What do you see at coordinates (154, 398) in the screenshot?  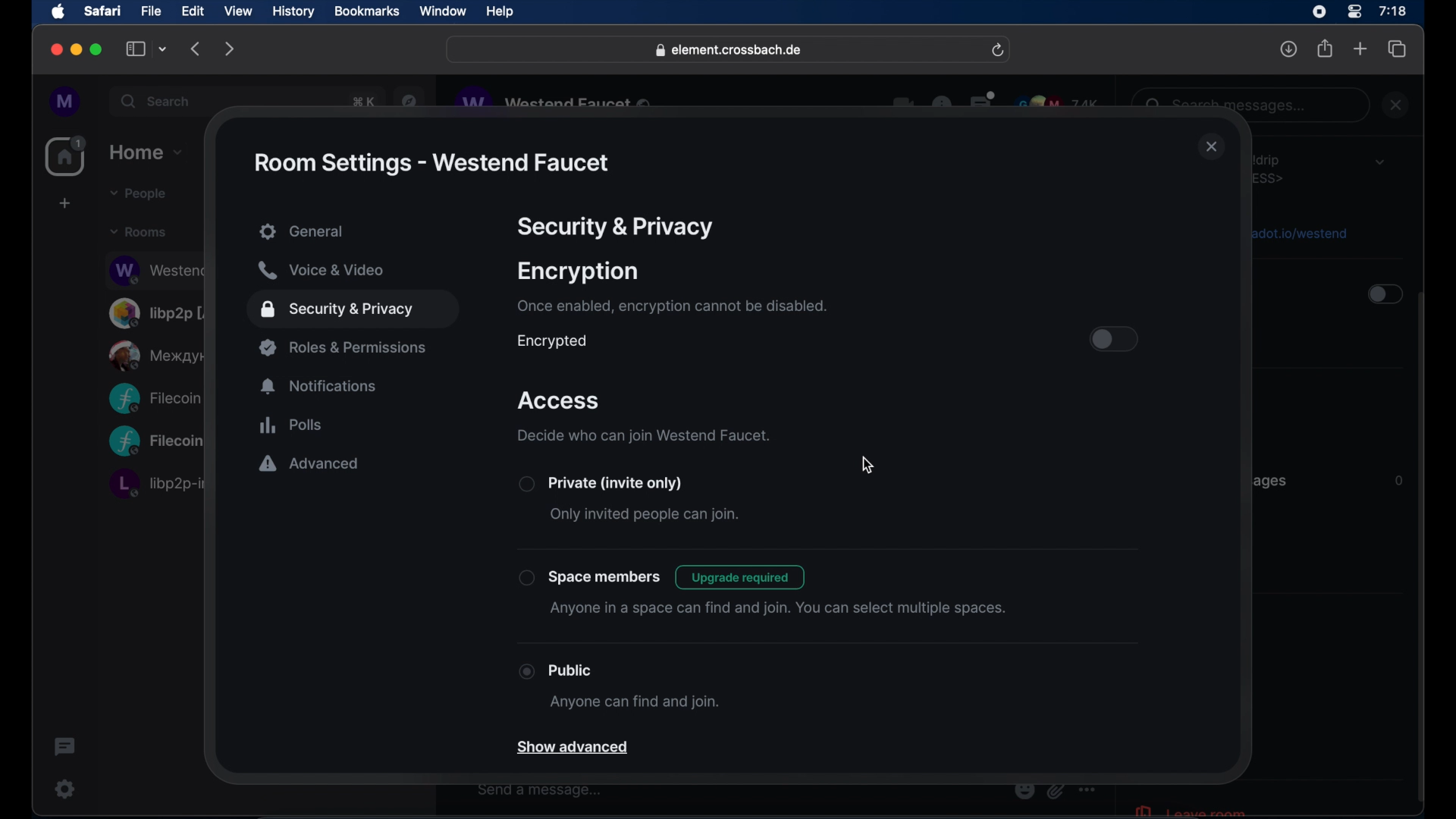 I see `obscure` at bounding box center [154, 398].